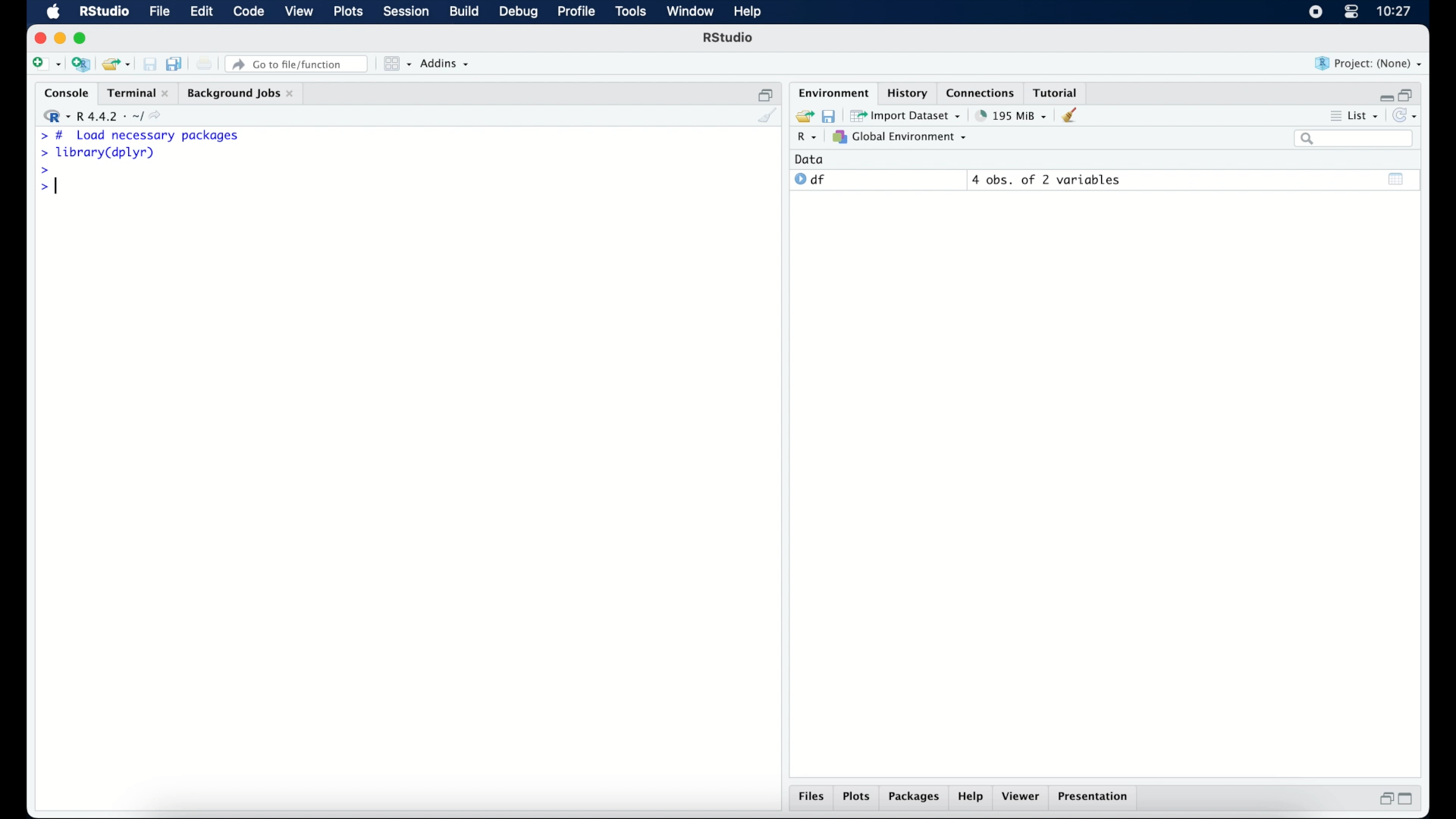 Image resolution: width=1456 pixels, height=819 pixels. What do you see at coordinates (463, 12) in the screenshot?
I see `build` at bounding box center [463, 12].